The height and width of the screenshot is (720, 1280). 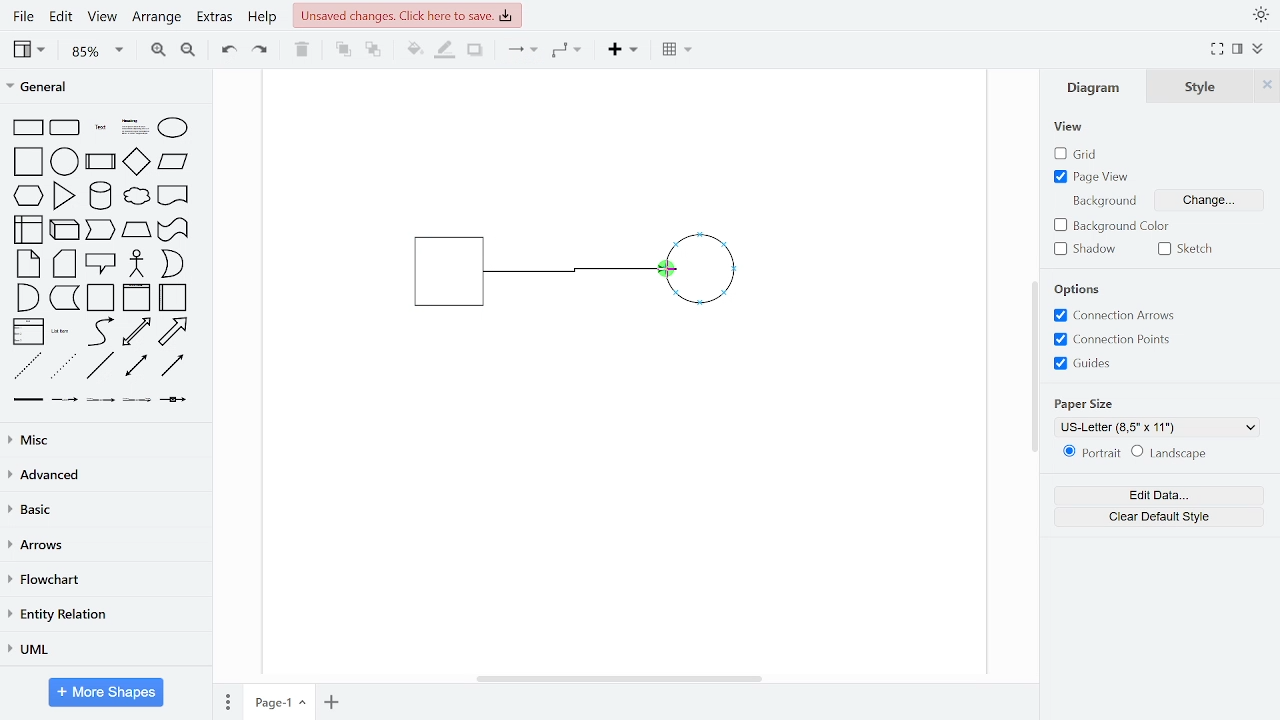 I want to click on Vertical scrollbar, so click(x=1037, y=369).